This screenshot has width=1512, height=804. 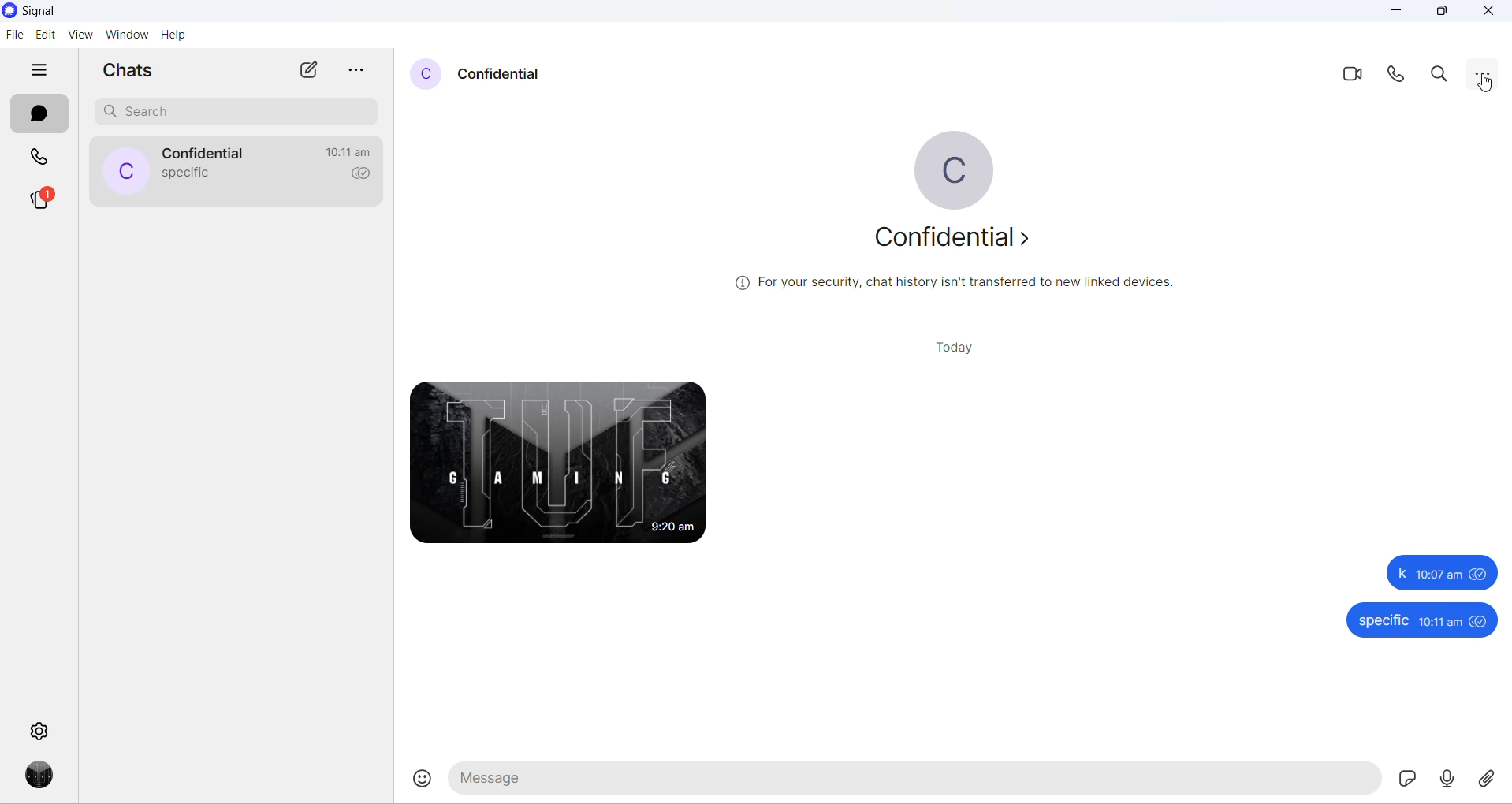 I want to click on read recipient, so click(x=359, y=179).